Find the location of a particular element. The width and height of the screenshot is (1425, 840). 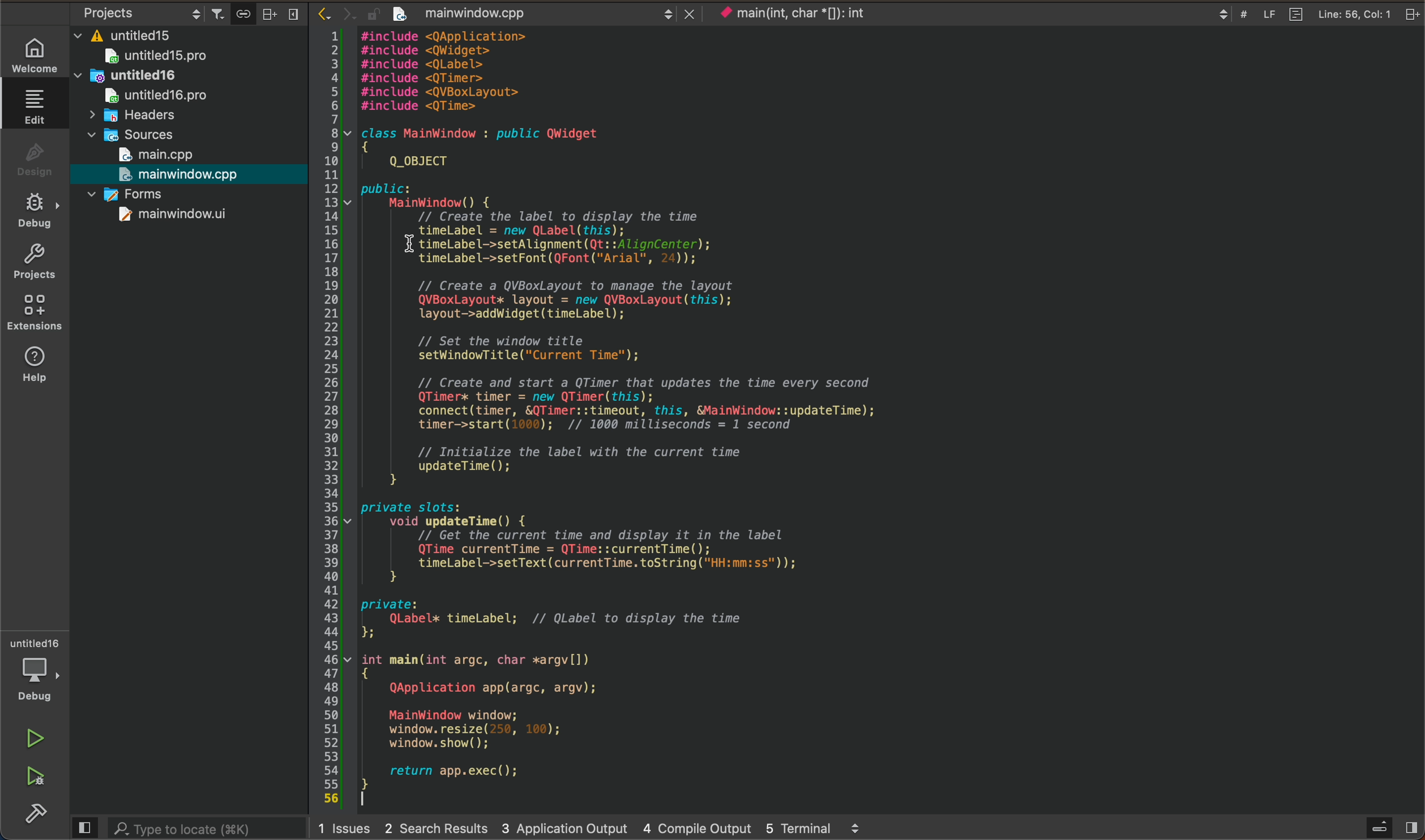

mainwindow.ui is located at coordinates (161, 218).